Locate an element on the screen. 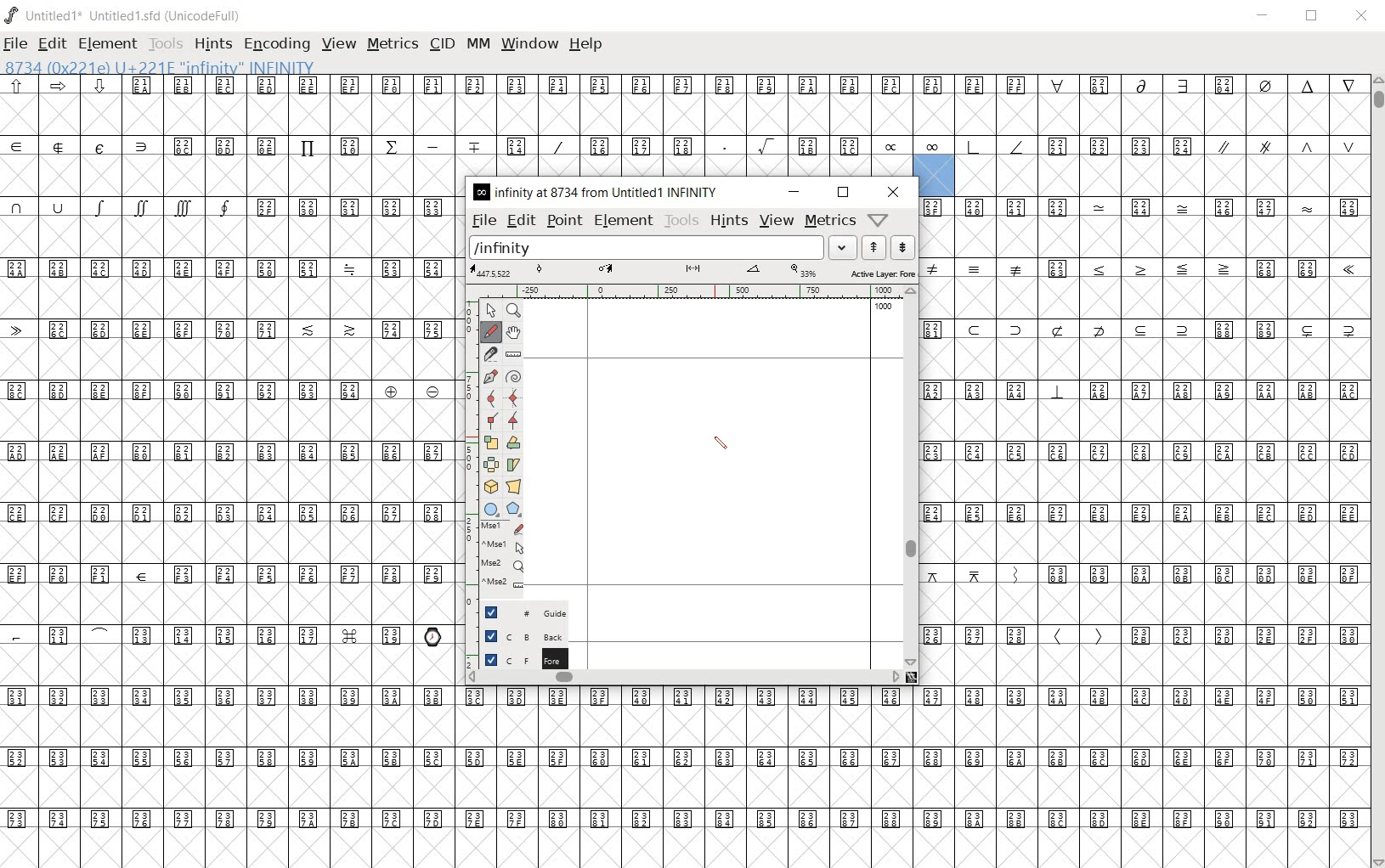 This screenshot has height=868, width=1385. symbols is located at coordinates (981, 573).